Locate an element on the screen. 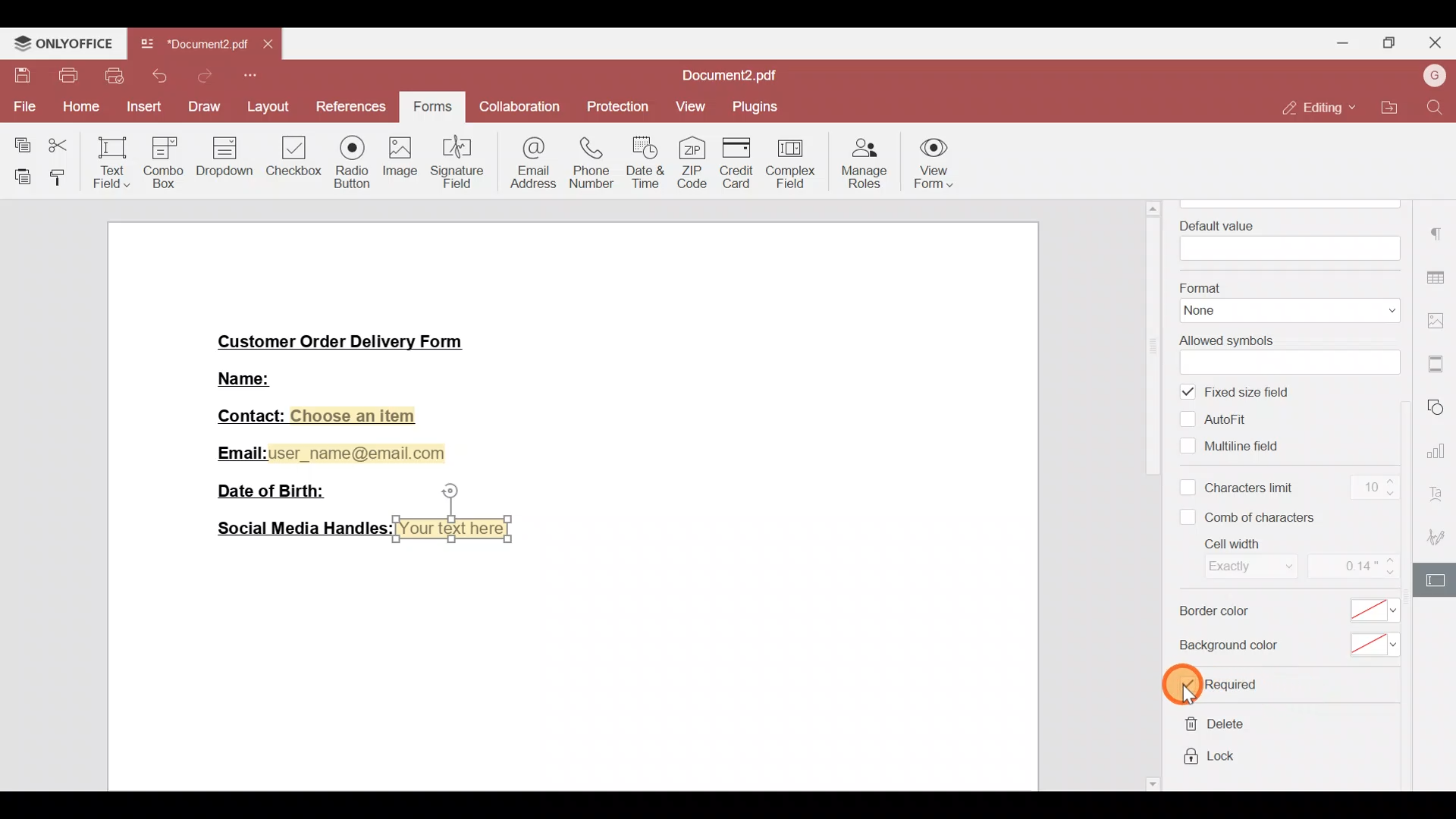 Image resolution: width=1456 pixels, height=819 pixels. Format is located at coordinates (1286, 300).